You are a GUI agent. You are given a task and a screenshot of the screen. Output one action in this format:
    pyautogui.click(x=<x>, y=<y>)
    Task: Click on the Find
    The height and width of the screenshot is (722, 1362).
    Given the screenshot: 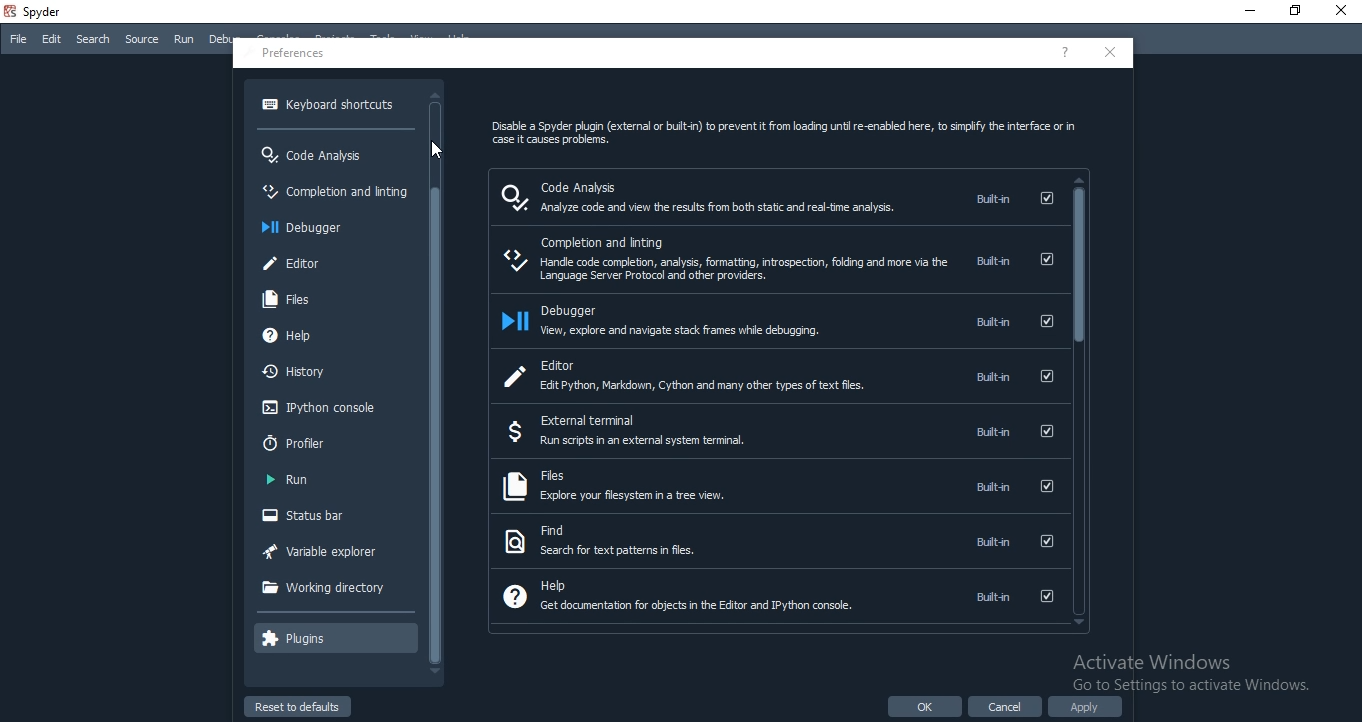 What is the action you would take?
    pyautogui.click(x=543, y=530)
    